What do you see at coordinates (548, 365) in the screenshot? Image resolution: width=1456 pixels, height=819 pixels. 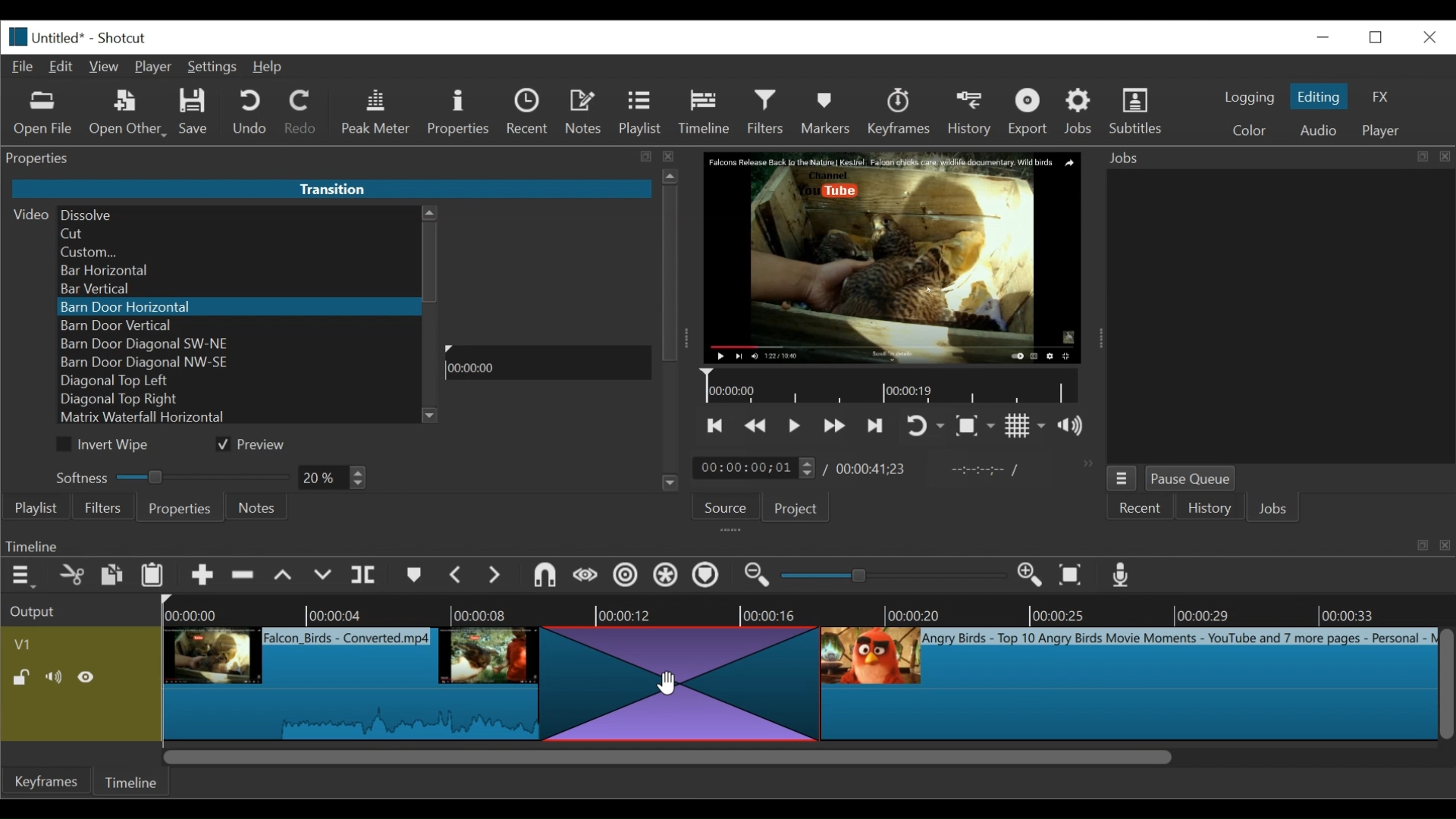 I see `Timeline` at bounding box center [548, 365].